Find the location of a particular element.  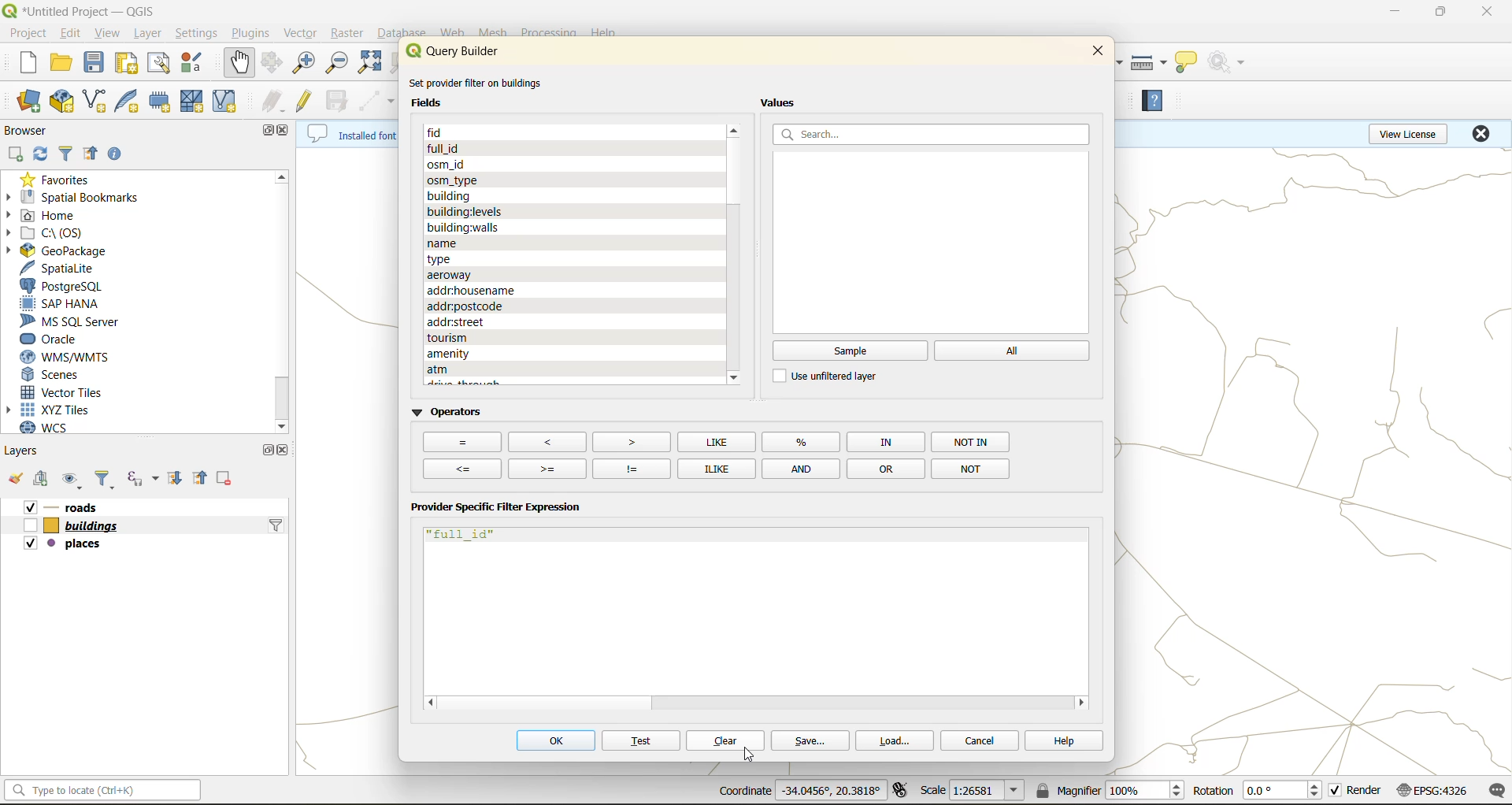

file name and app name is located at coordinates (86, 10).